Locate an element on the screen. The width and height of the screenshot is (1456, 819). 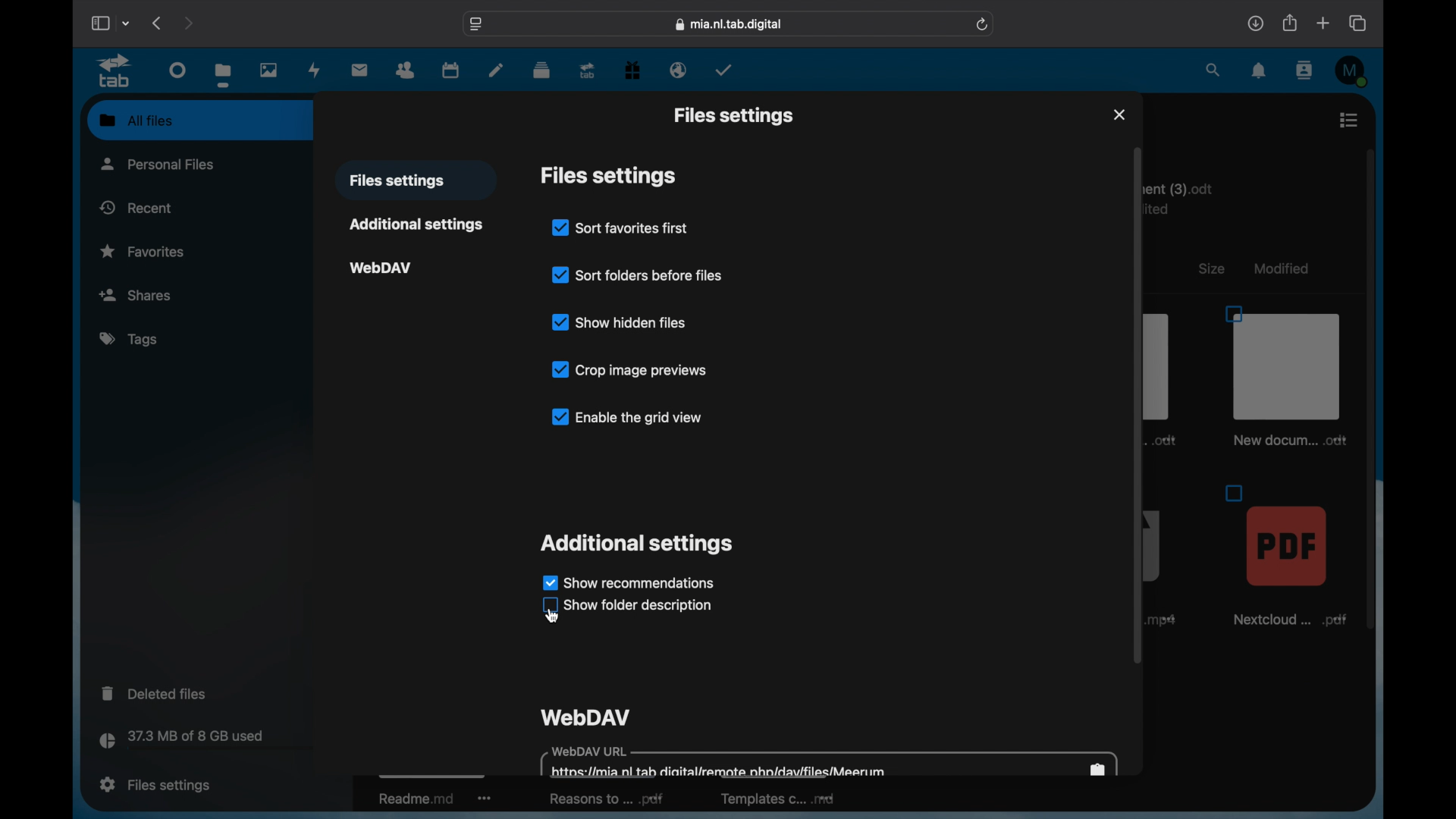
show tab overview is located at coordinates (1359, 23).